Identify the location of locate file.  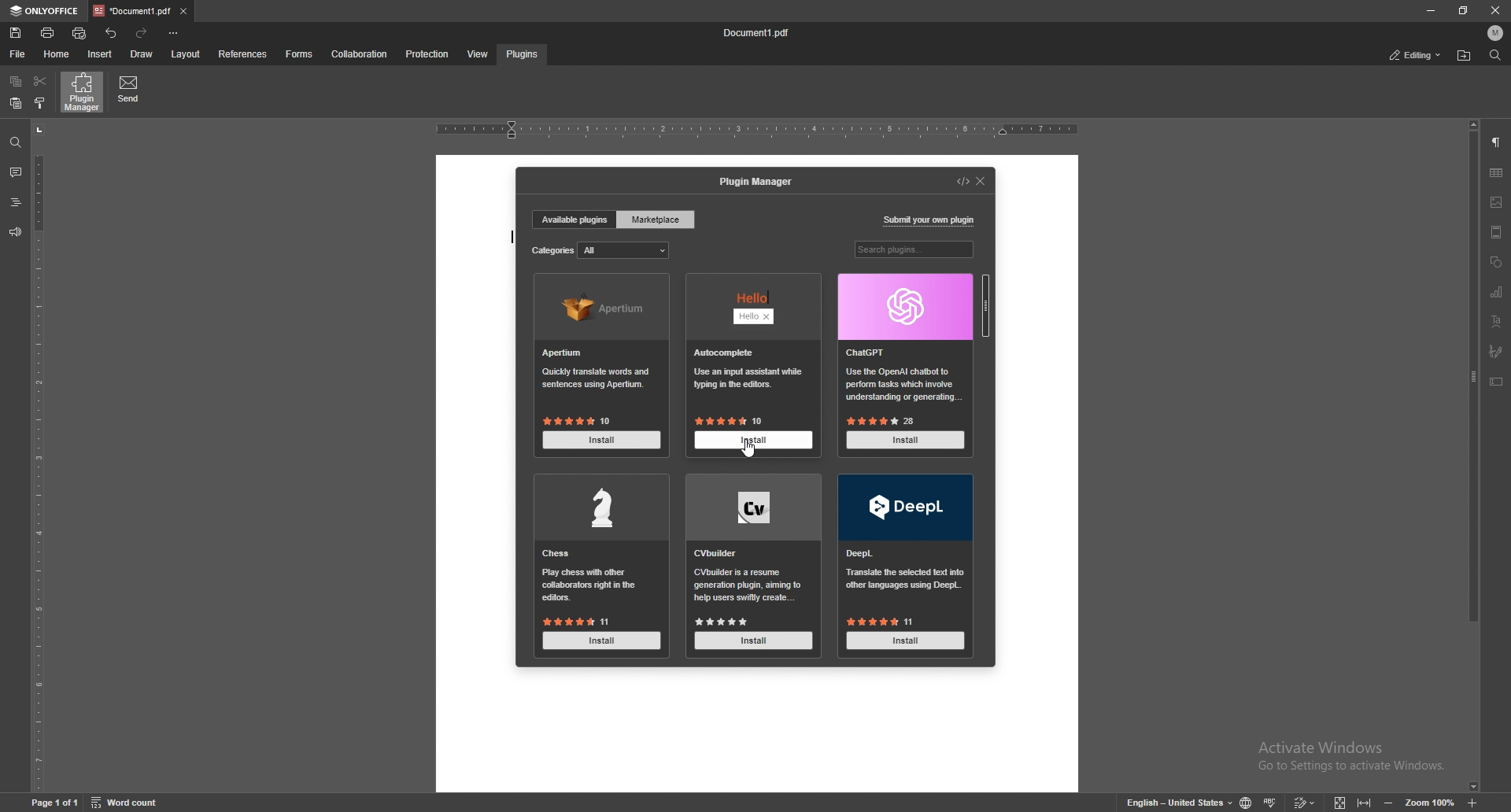
(1463, 56).